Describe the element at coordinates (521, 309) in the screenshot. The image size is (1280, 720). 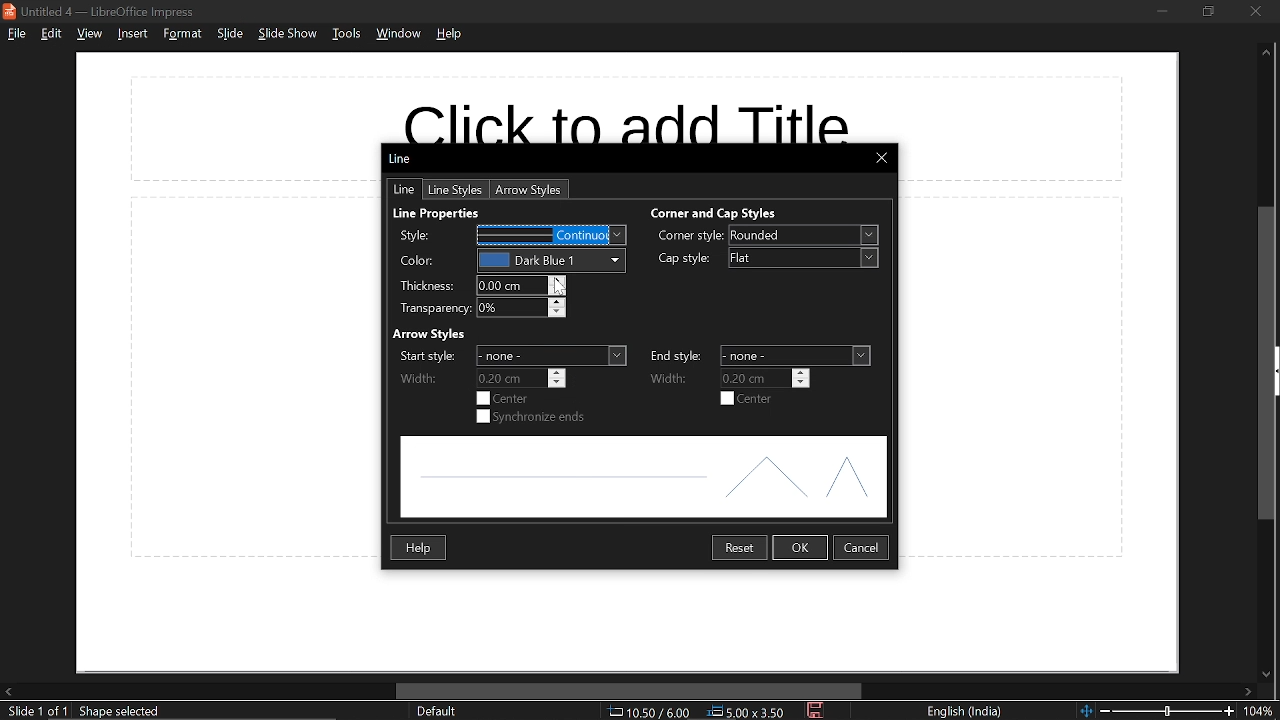
I see `transparency` at that location.